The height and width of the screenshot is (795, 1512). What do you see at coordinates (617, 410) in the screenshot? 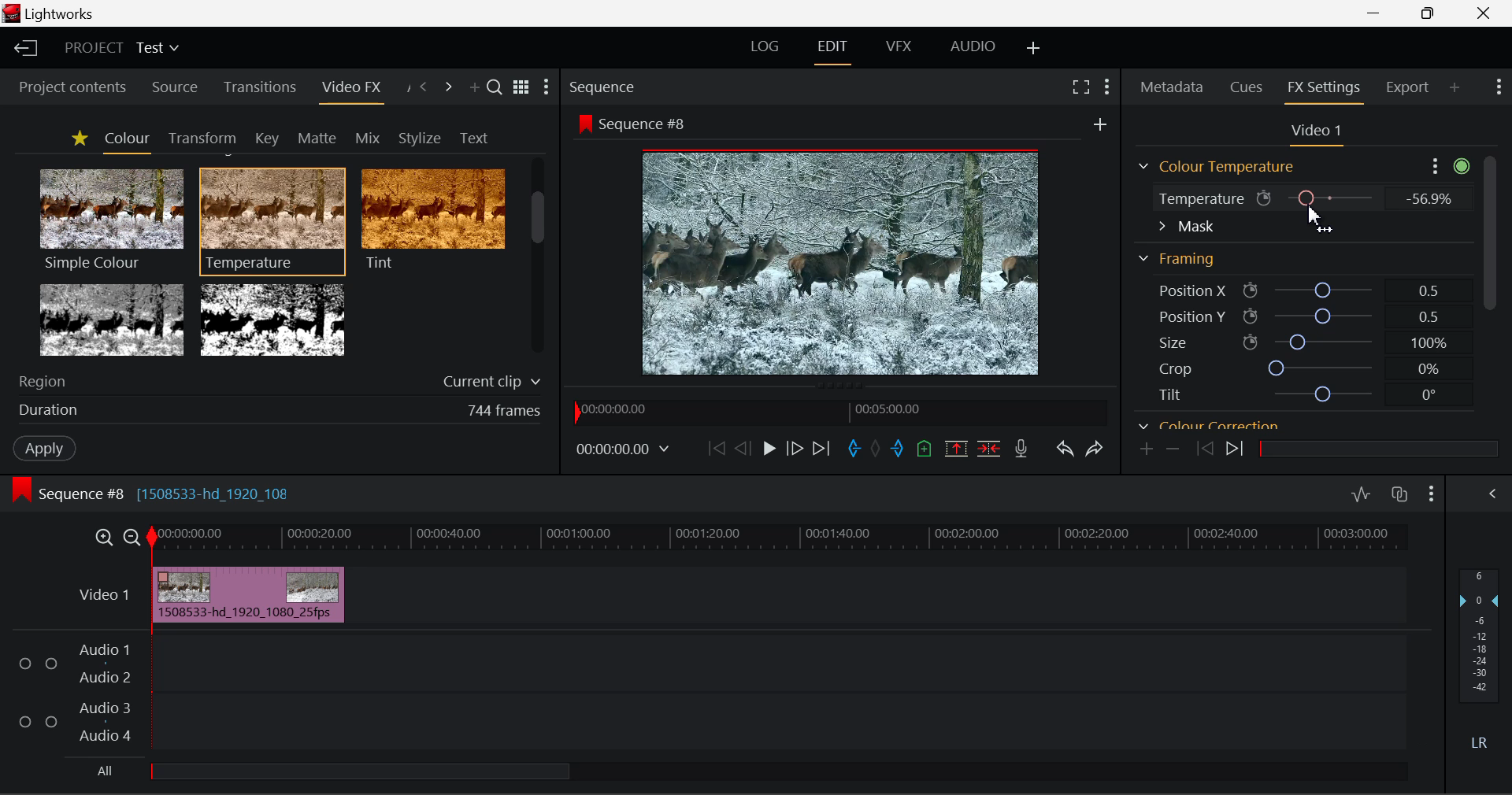
I see `00:00:00.00` at bounding box center [617, 410].